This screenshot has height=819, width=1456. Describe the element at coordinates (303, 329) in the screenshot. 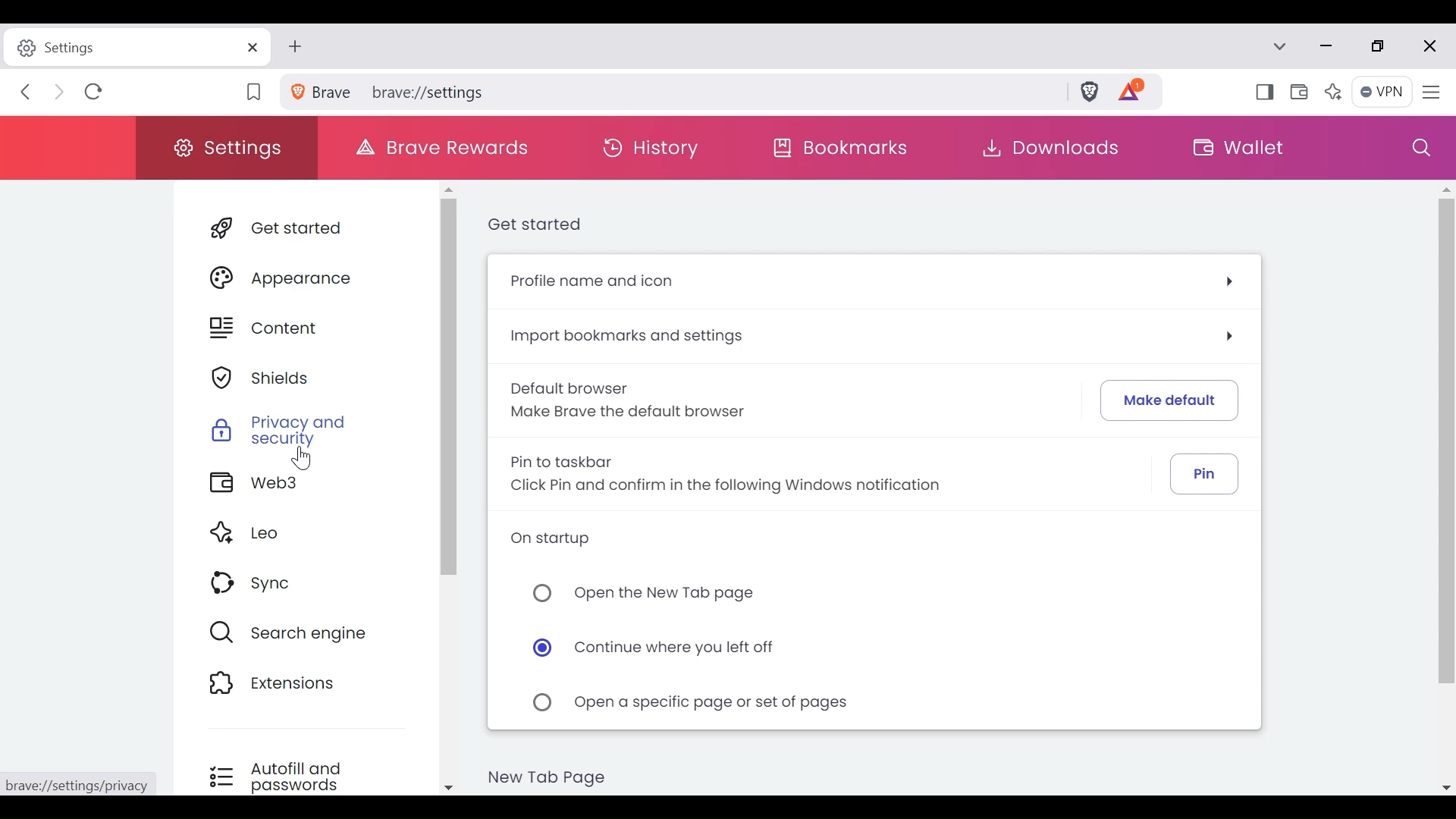

I see `Content` at that location.